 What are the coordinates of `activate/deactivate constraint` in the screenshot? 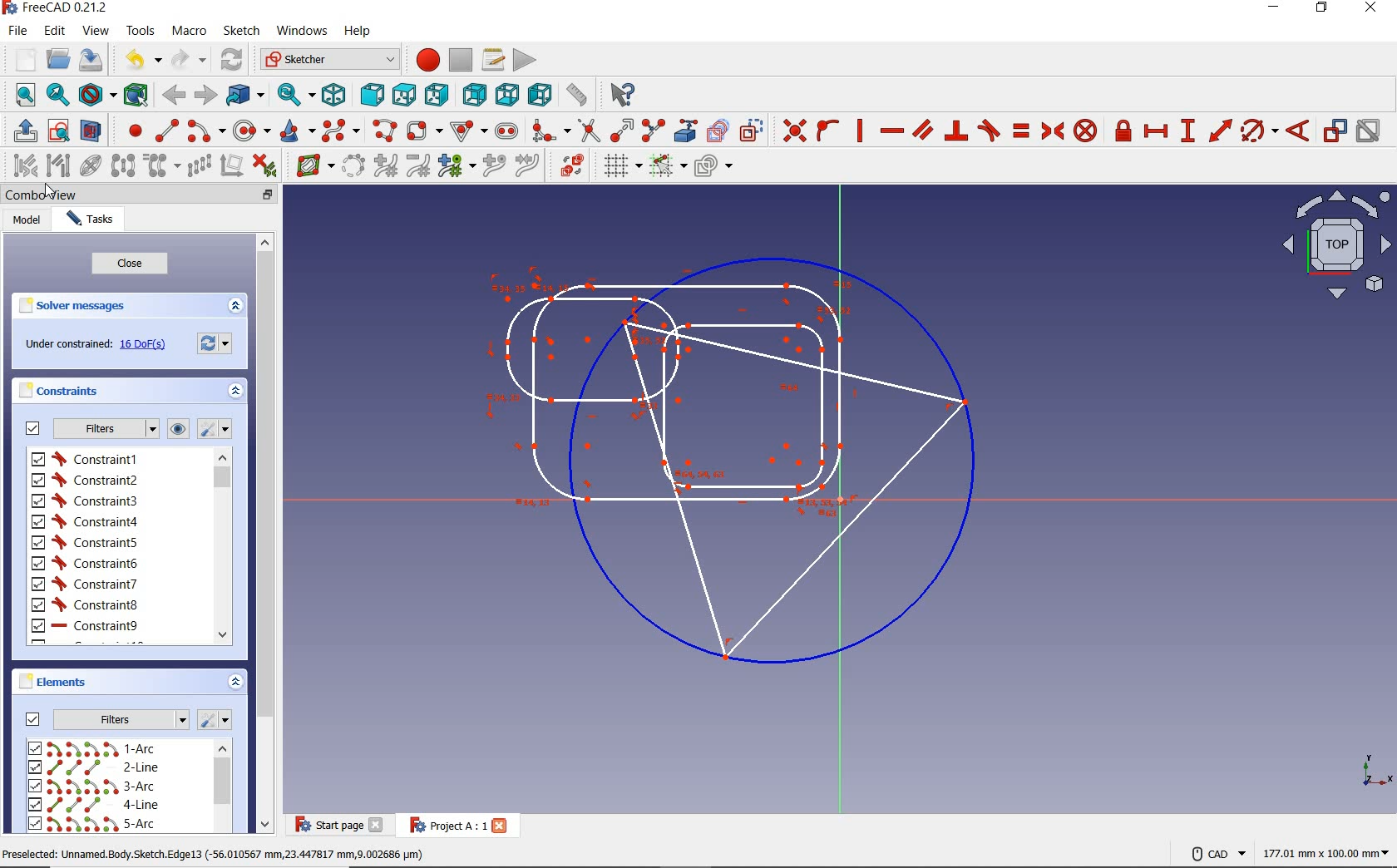 It's located at (1370, 134).